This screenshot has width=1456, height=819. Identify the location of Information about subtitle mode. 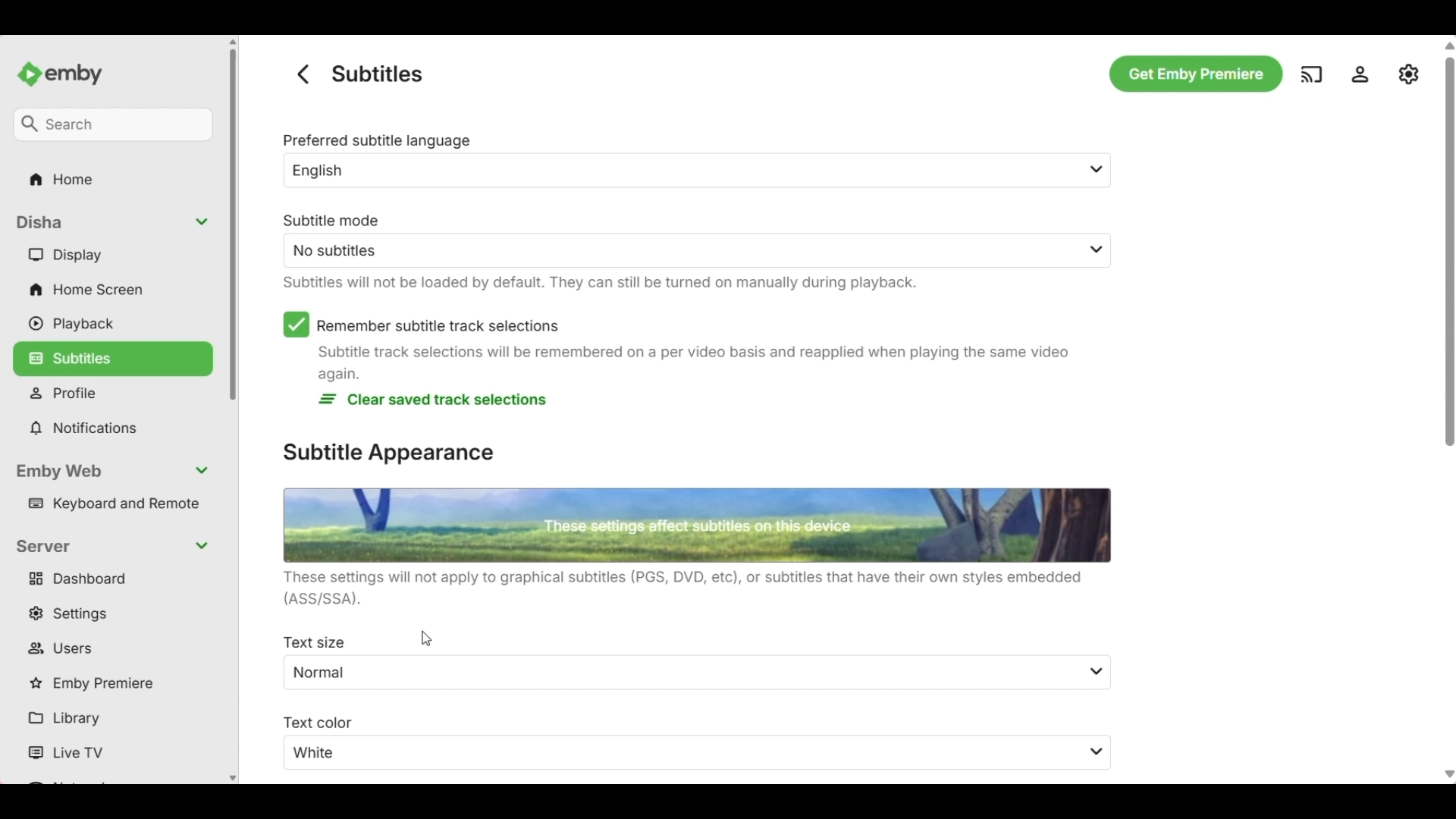
(597, 283).